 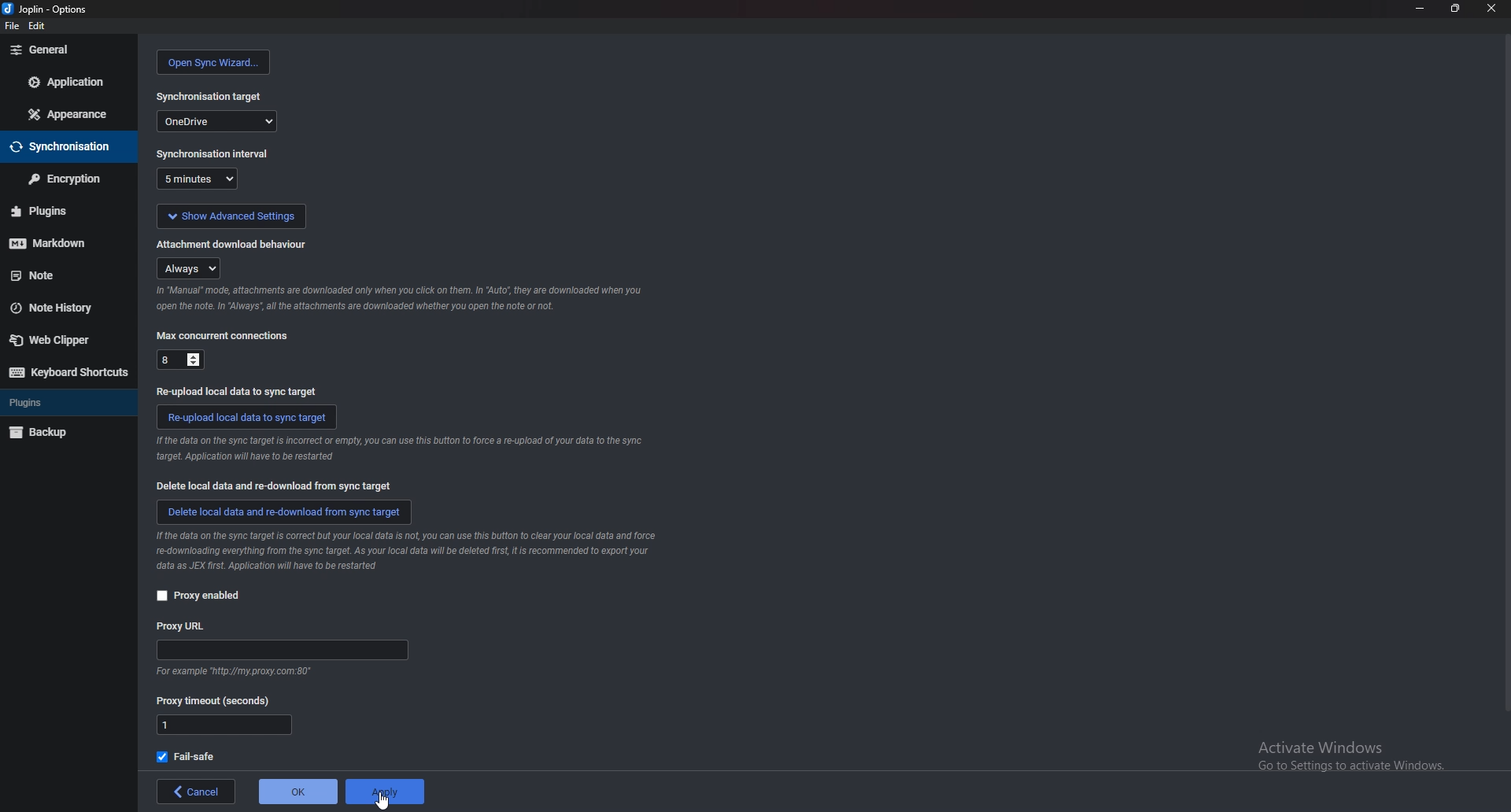 I want to click on close, so click(x=1491, y=7).